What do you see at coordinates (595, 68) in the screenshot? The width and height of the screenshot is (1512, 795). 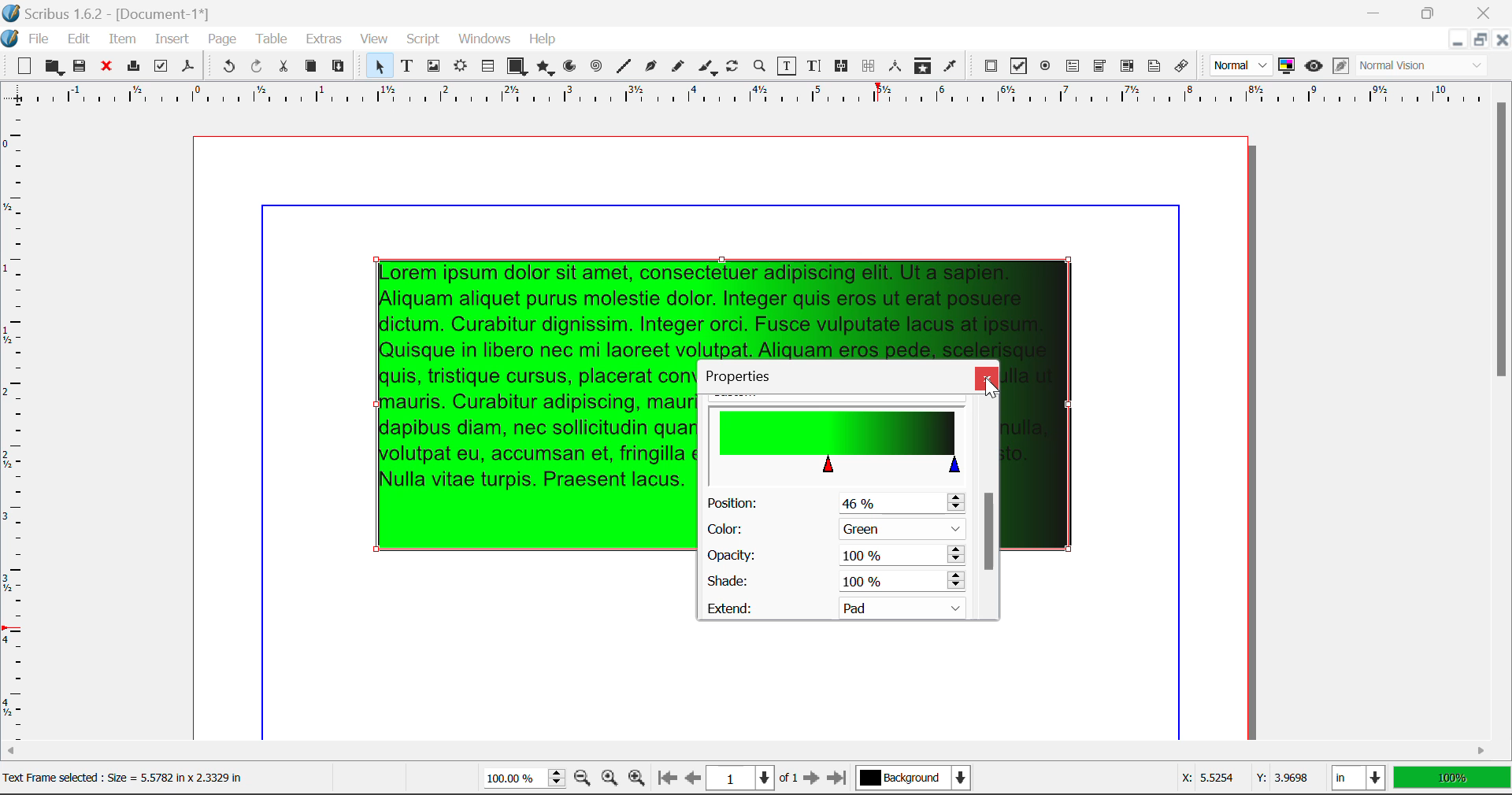 I see `Spirals` at bounding box center [595, 68].